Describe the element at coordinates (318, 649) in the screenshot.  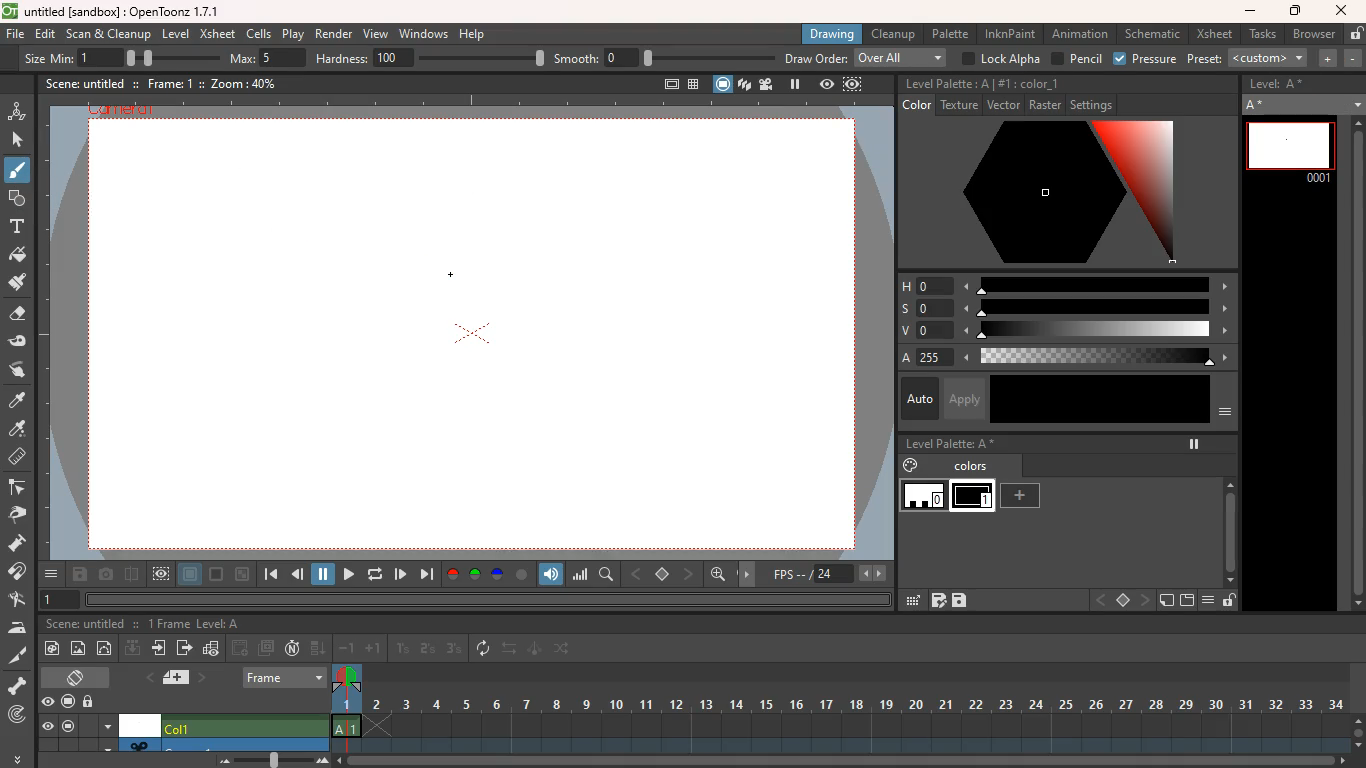
I see `down` at that location.